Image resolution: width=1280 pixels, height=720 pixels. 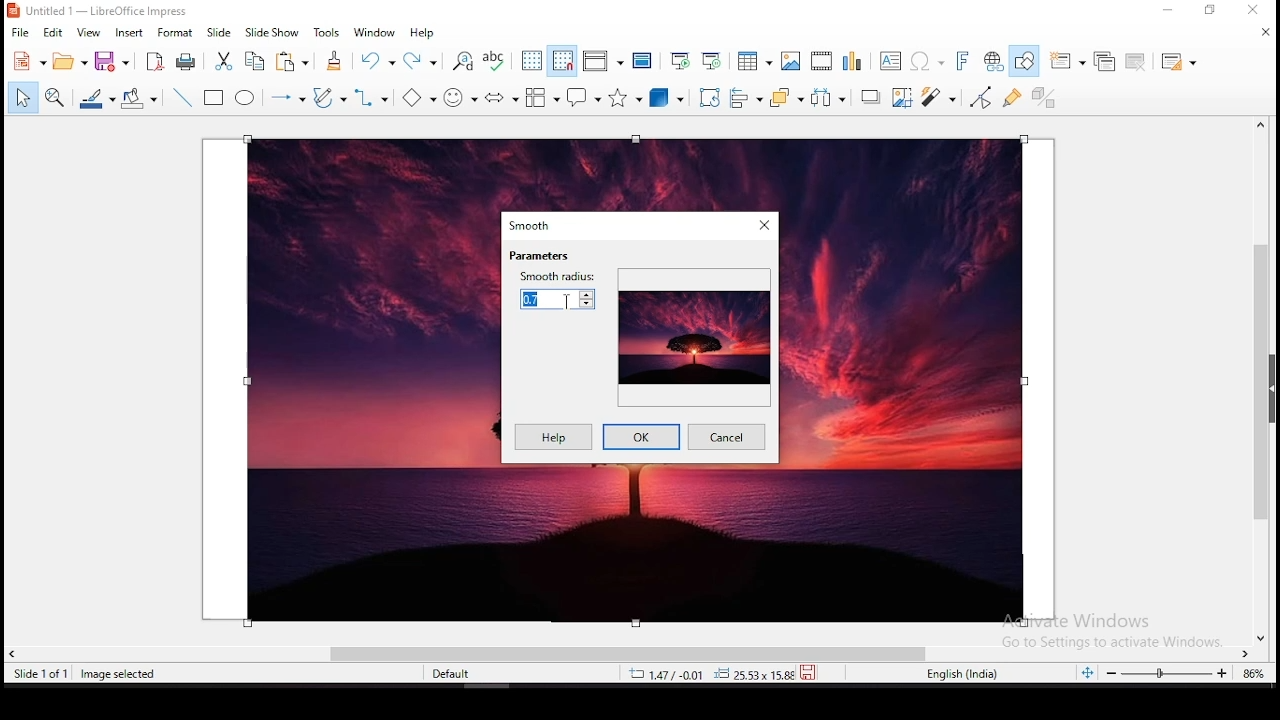 I want to click on master slide, so click(x=641, y=60).